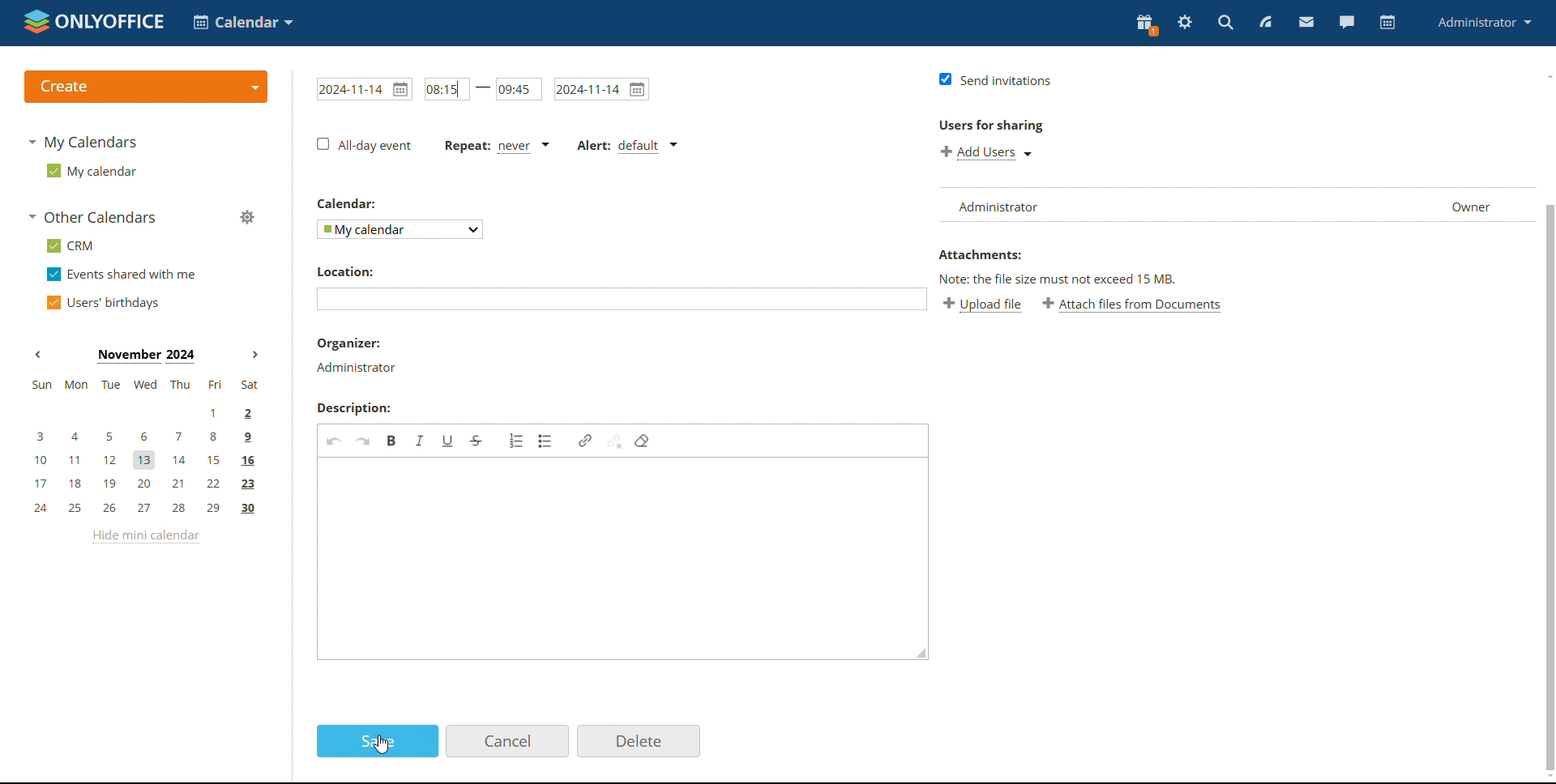 The width and height of the screenshot is (1556, 784). What do you see at coordinates (546, 441) in the screenshot?
I see `Insert or remove bulleted list` at bounding box center [546, 441].